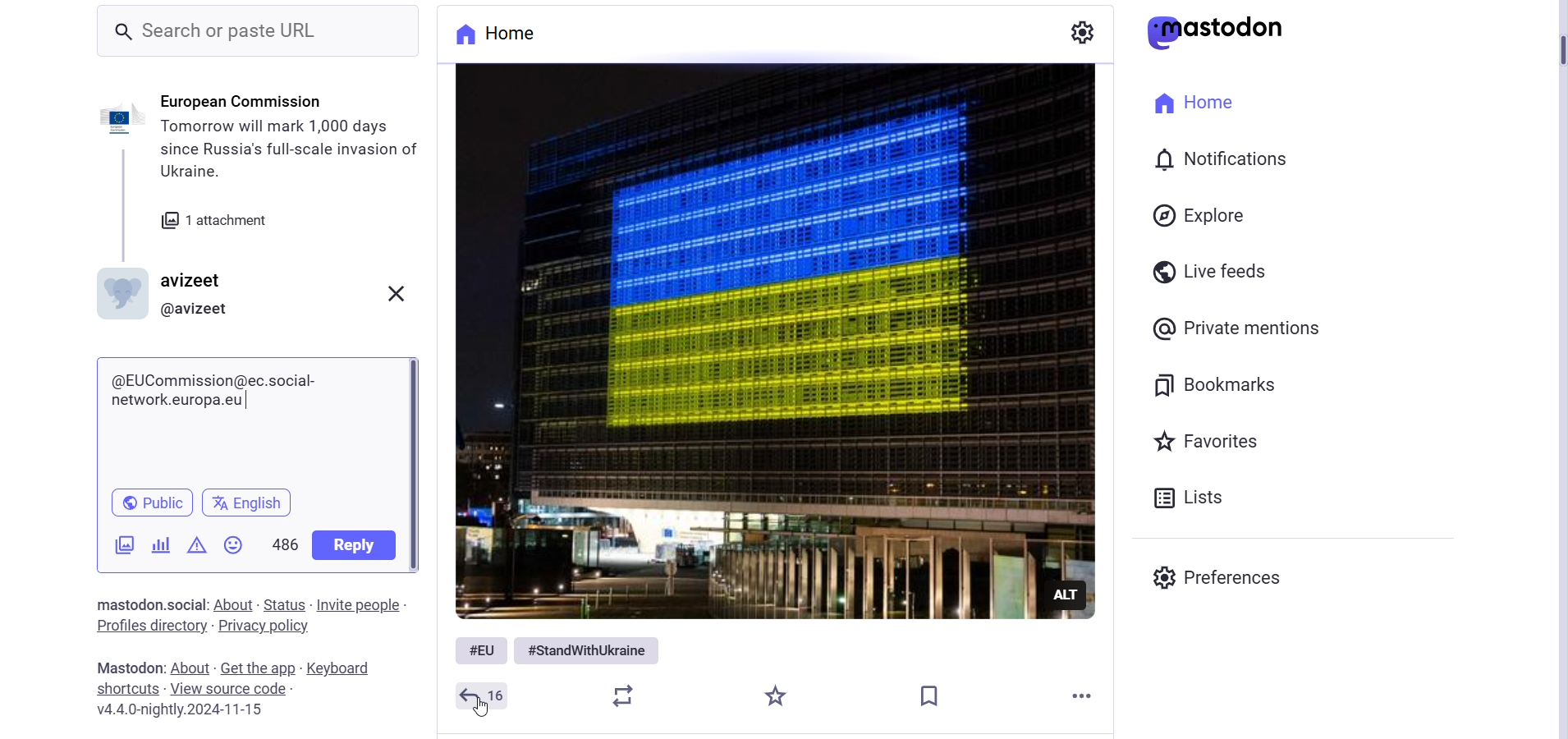 The width and height of the screenshot is (1568, 739). I want to click on Post Information, so click(269, 173).